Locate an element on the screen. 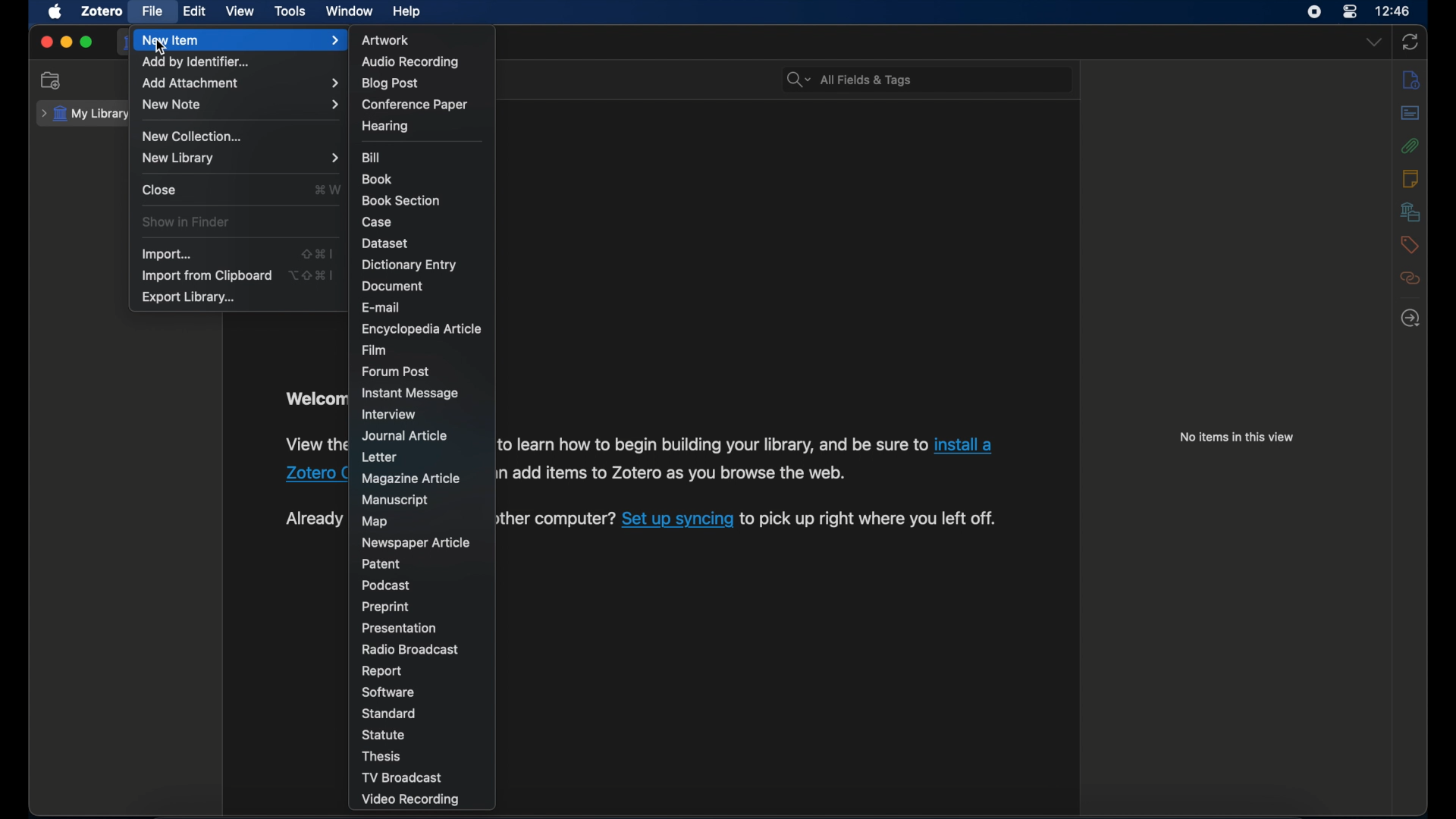 Image resolution: width=1456 pixels, height=819 pixels. hearing is located at coordinates (385, 127).